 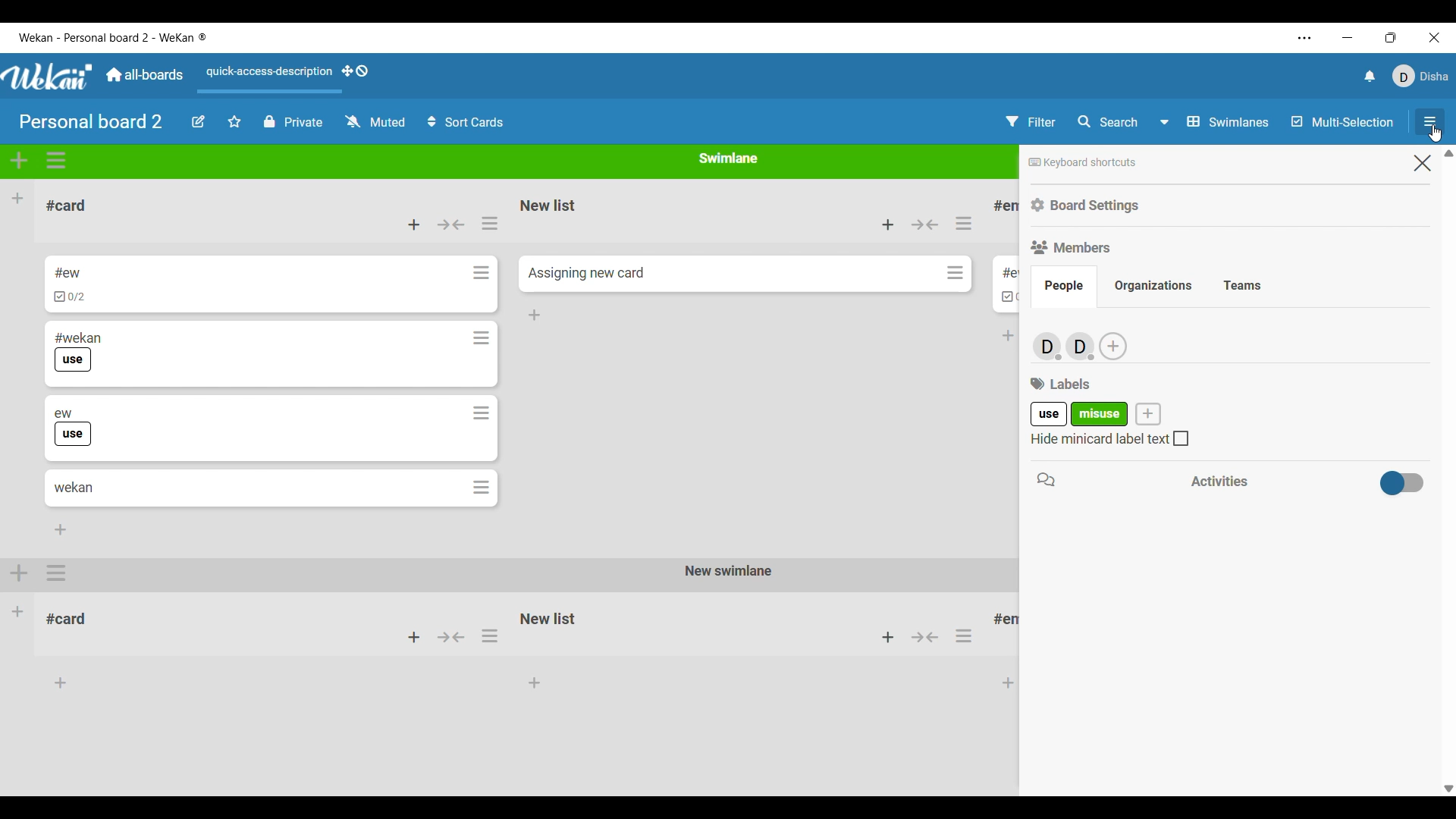 I want to click on Add more participants, so click(x=1113, y=346).